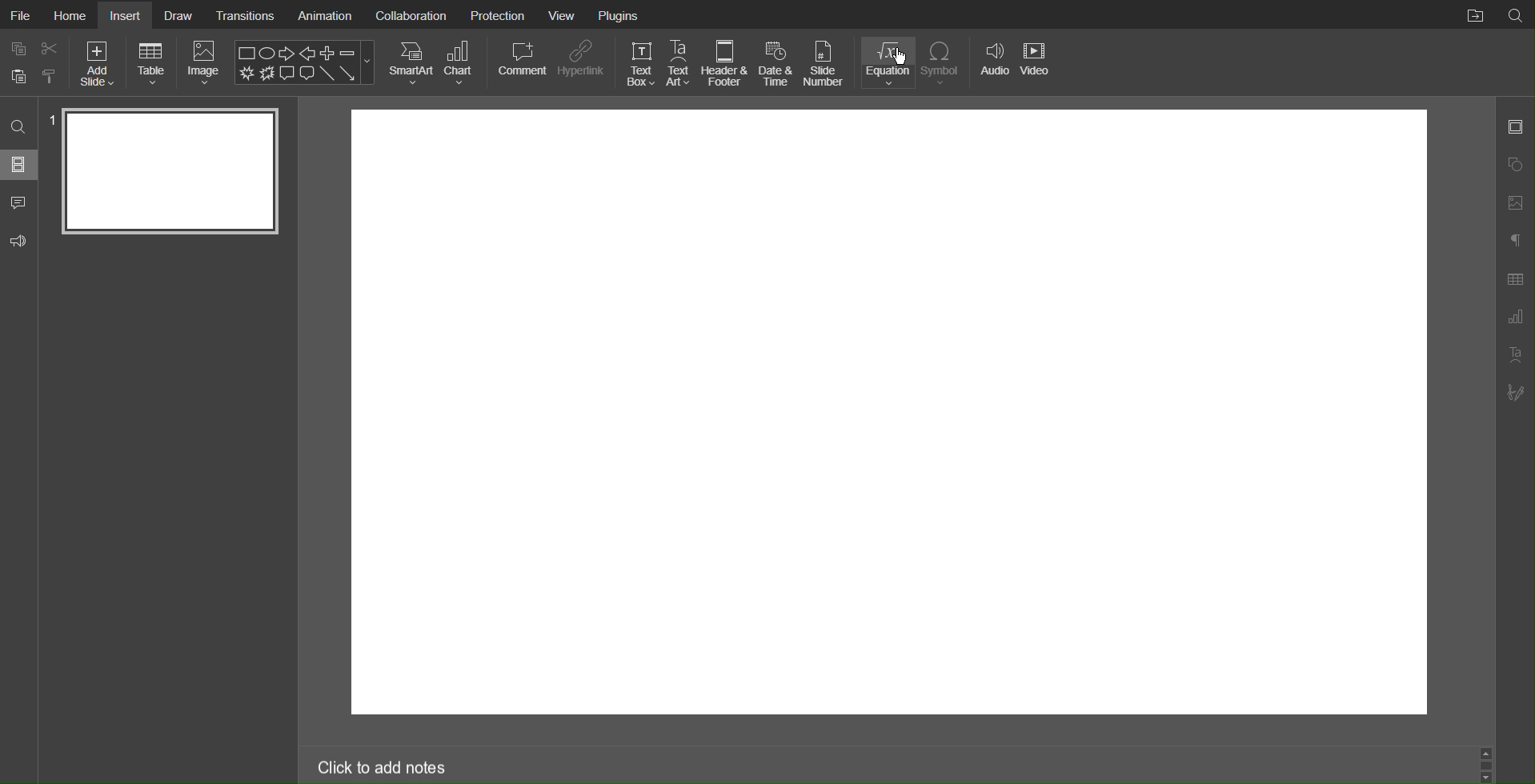 The height and width of the screenshot is (784, 1535). What do you see at coordinates (152, 64) in the screenshot?
I see `Table` at bounding box center [152, 64].